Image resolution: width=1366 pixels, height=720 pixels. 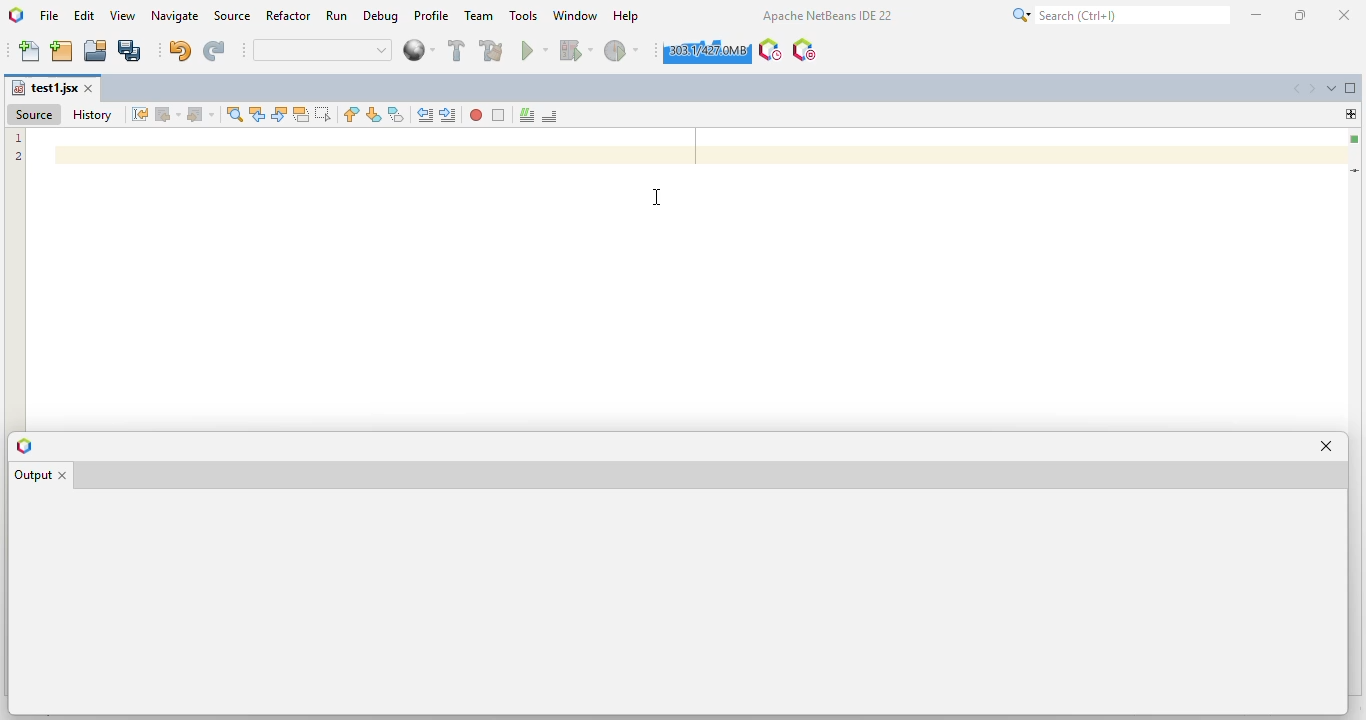 I want to click on clean and build project, so click(x=492, y=49).